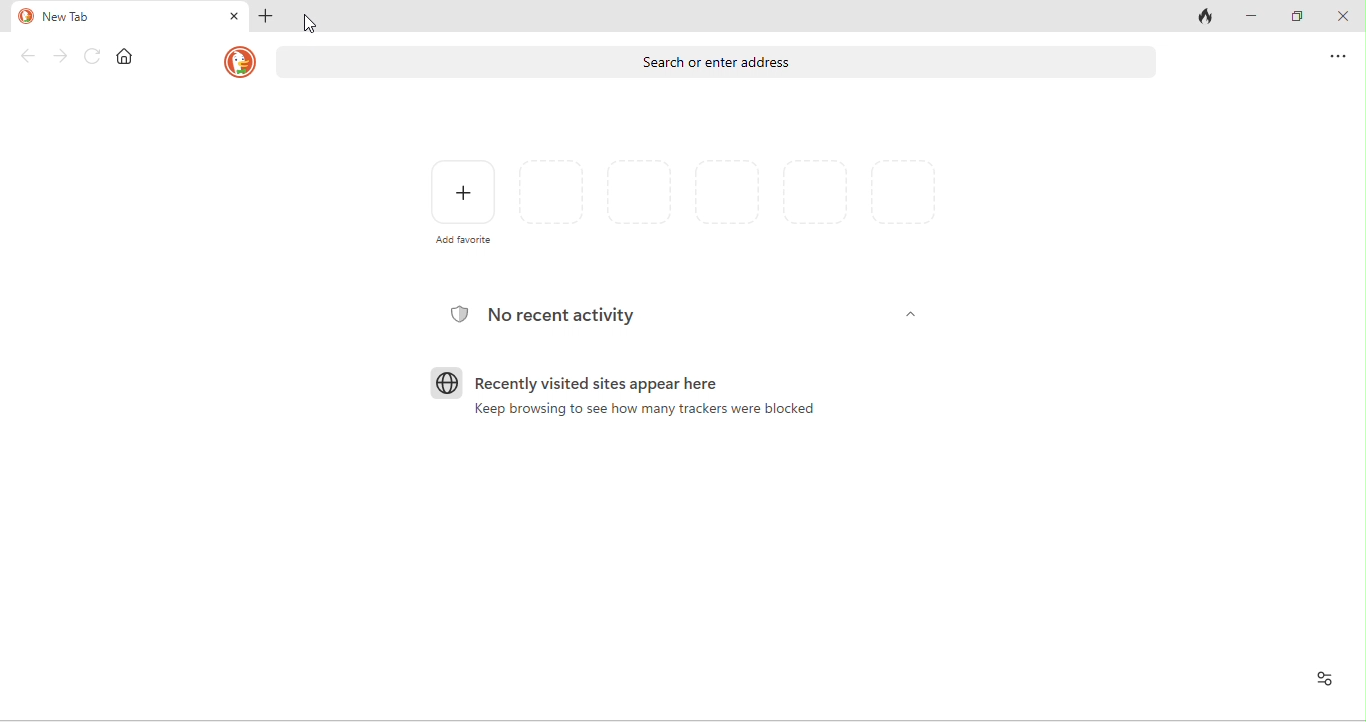 This screenshot has height=722, width=1366. What do you see at coordinates (575, 316) in the screenshot?
I see `no recent activity` at bounding box center [575, 316].